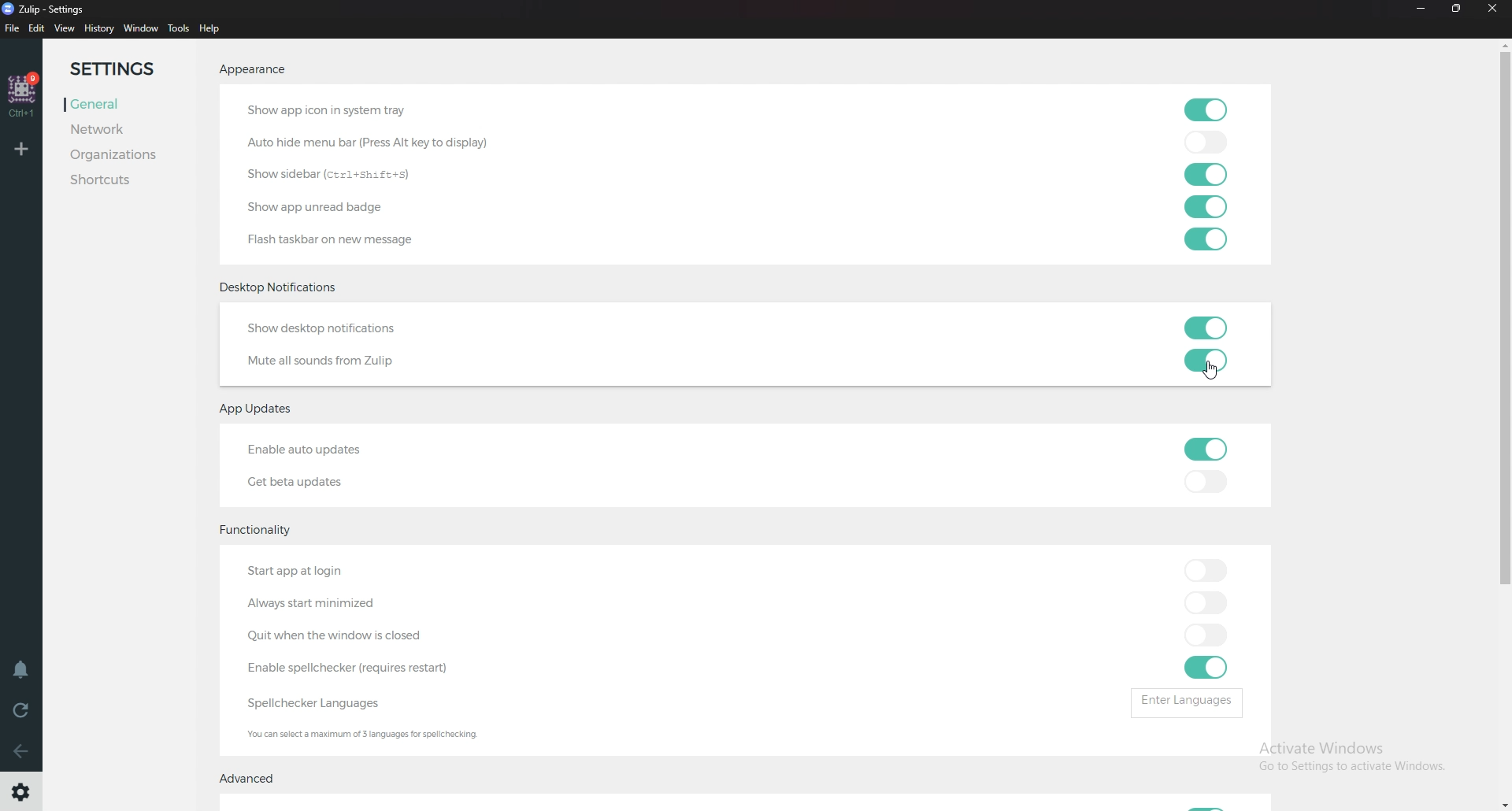  What do you see at coordinates (1203, 361) in the screenshot?
I see `toggle` at bounding box center [1203, 361].